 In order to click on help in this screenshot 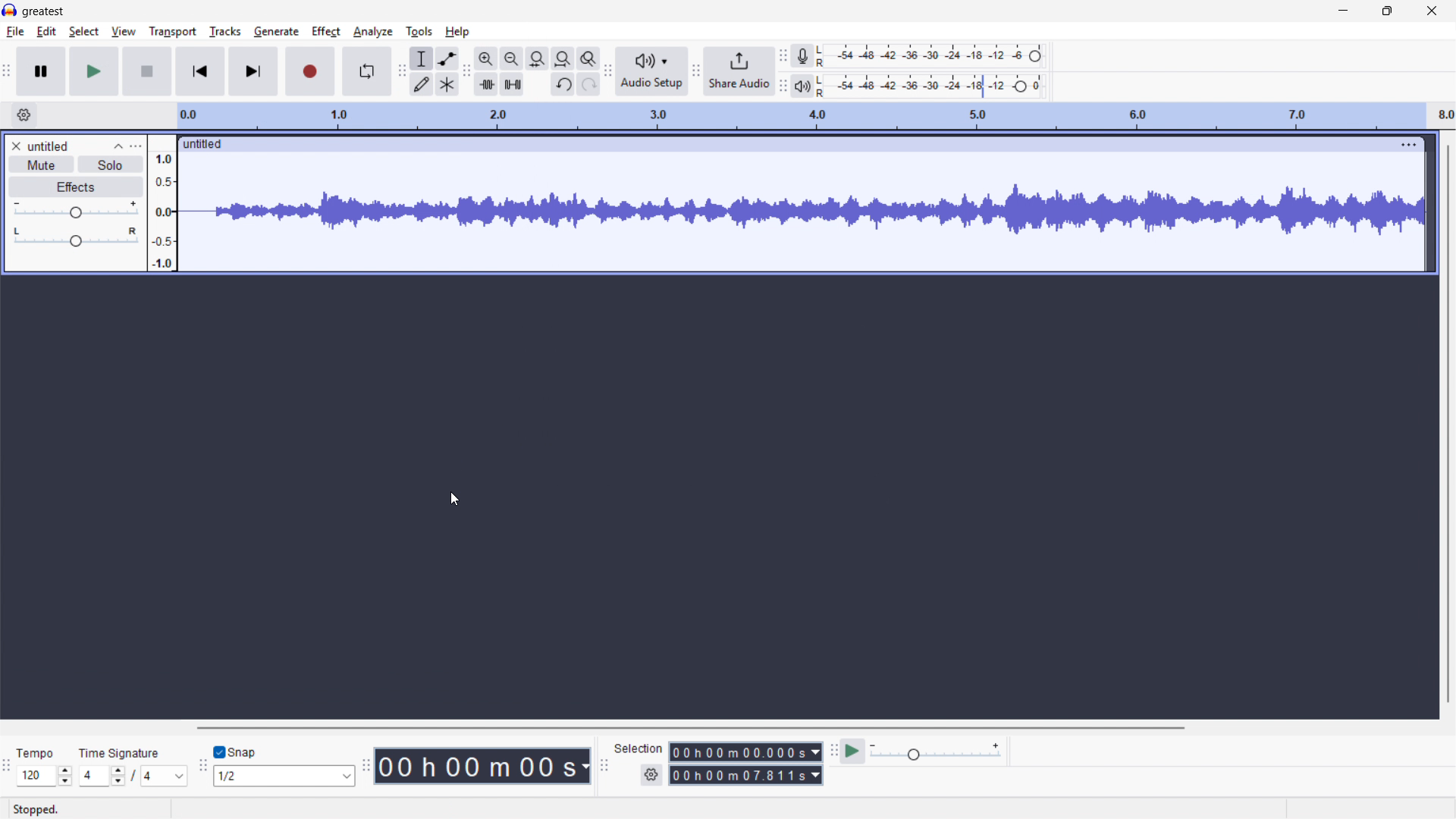, I will do `click(457, 32)`.